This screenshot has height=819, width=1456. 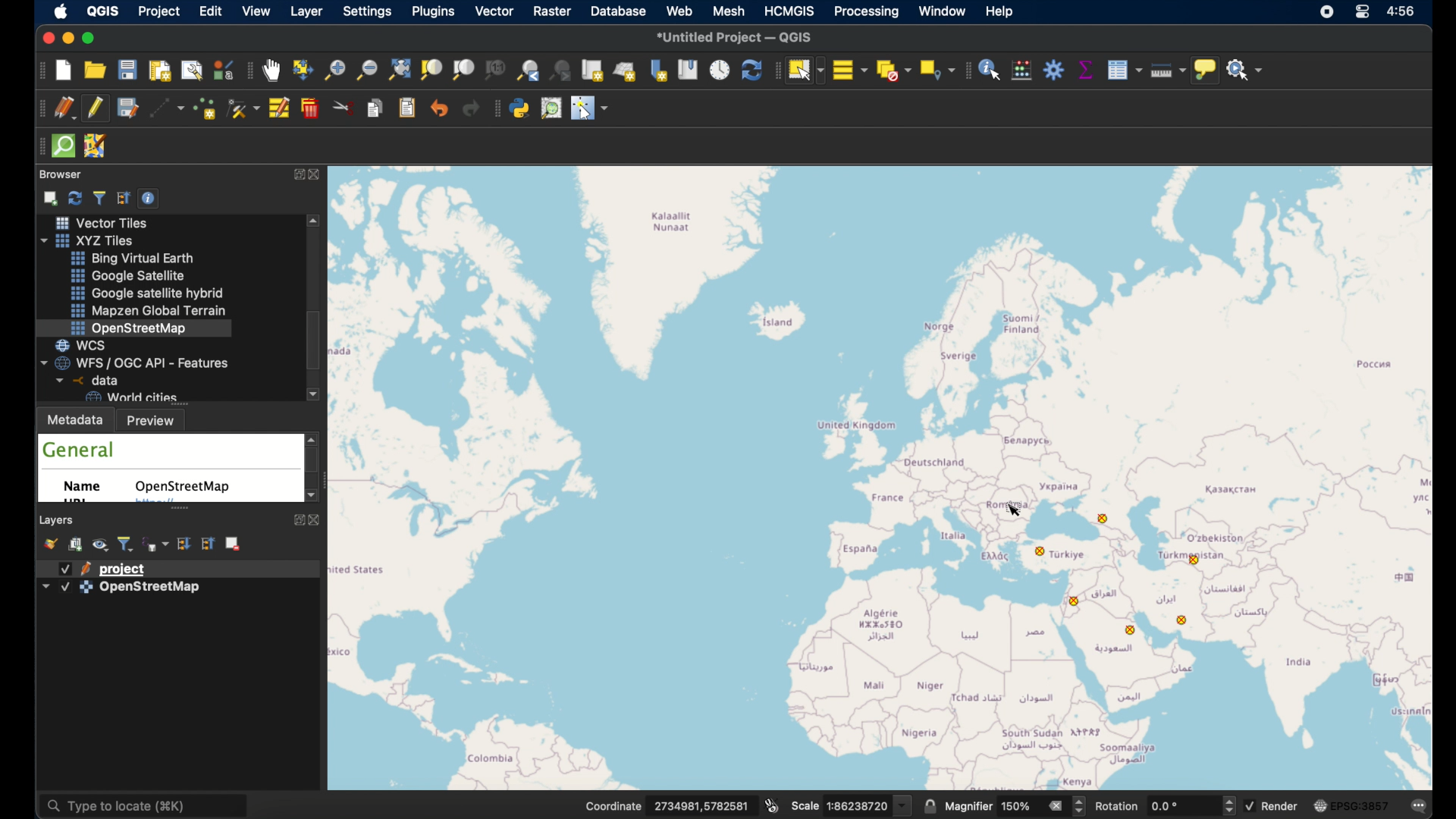 I want to click on add selected layers, so click(x=49, y=197).